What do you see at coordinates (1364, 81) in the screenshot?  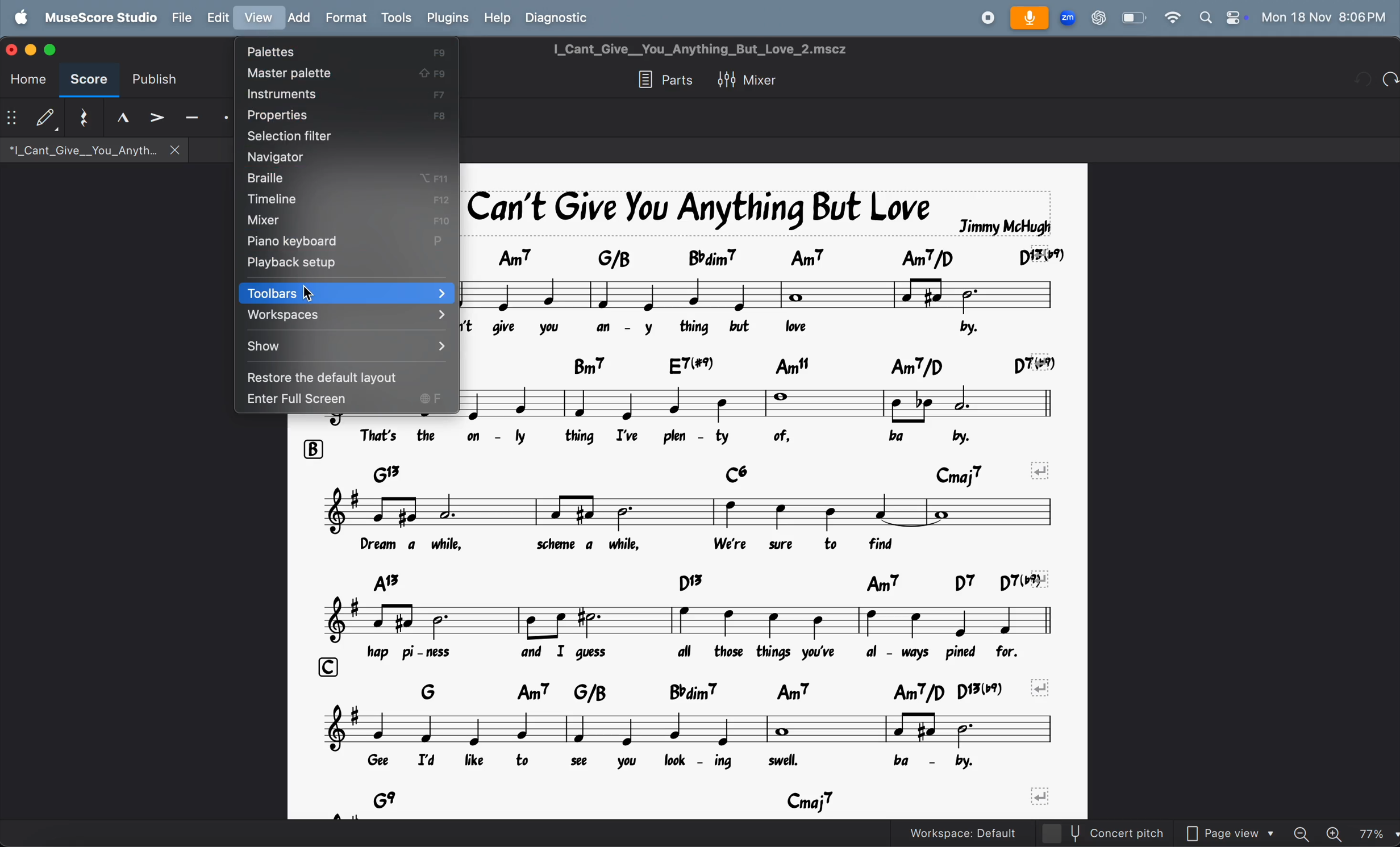 I see `redo` at bounding box center [1364, 81].